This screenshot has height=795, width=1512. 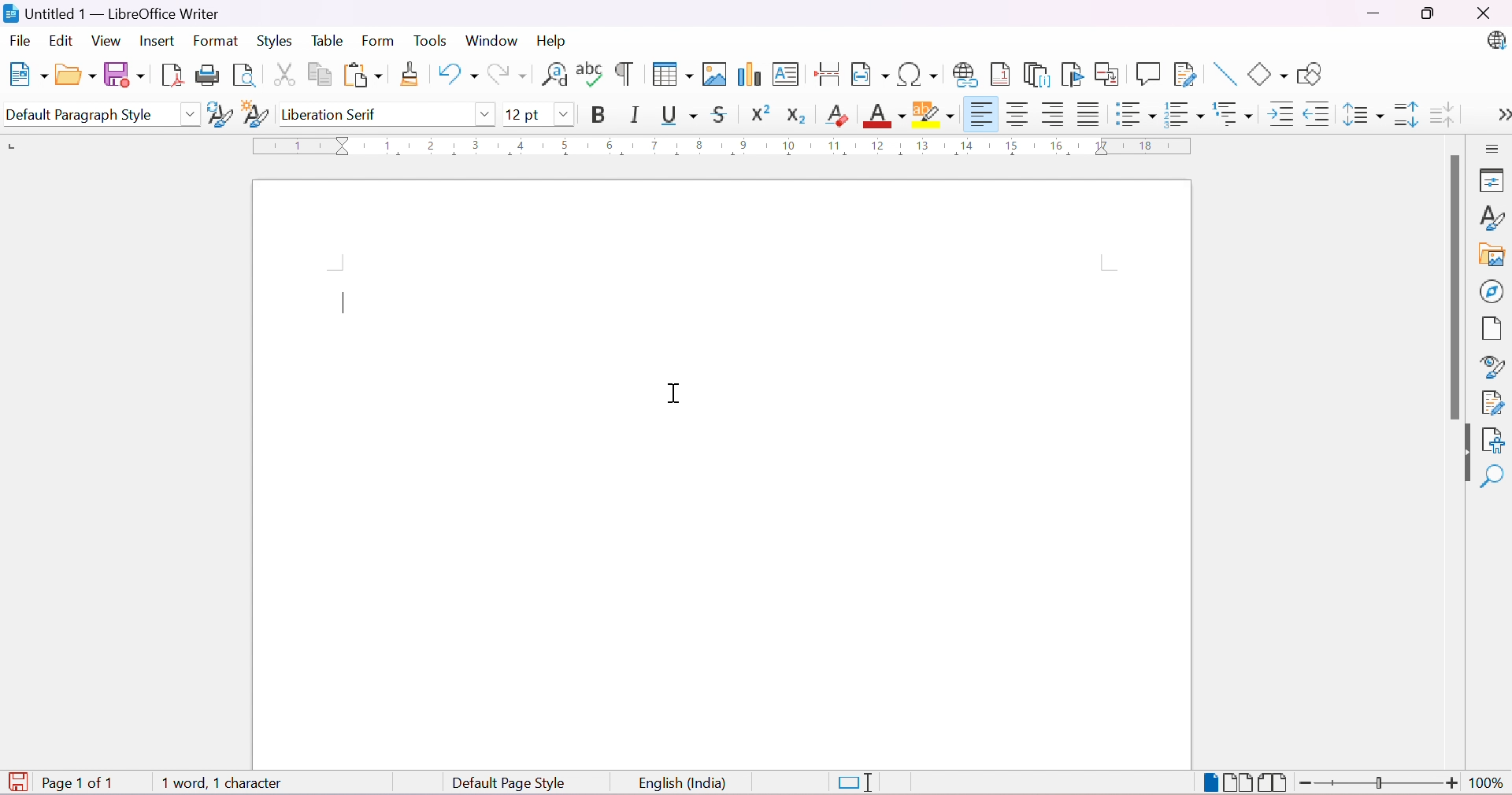 I want to click on Navigator, so click(x=1492, y=292).